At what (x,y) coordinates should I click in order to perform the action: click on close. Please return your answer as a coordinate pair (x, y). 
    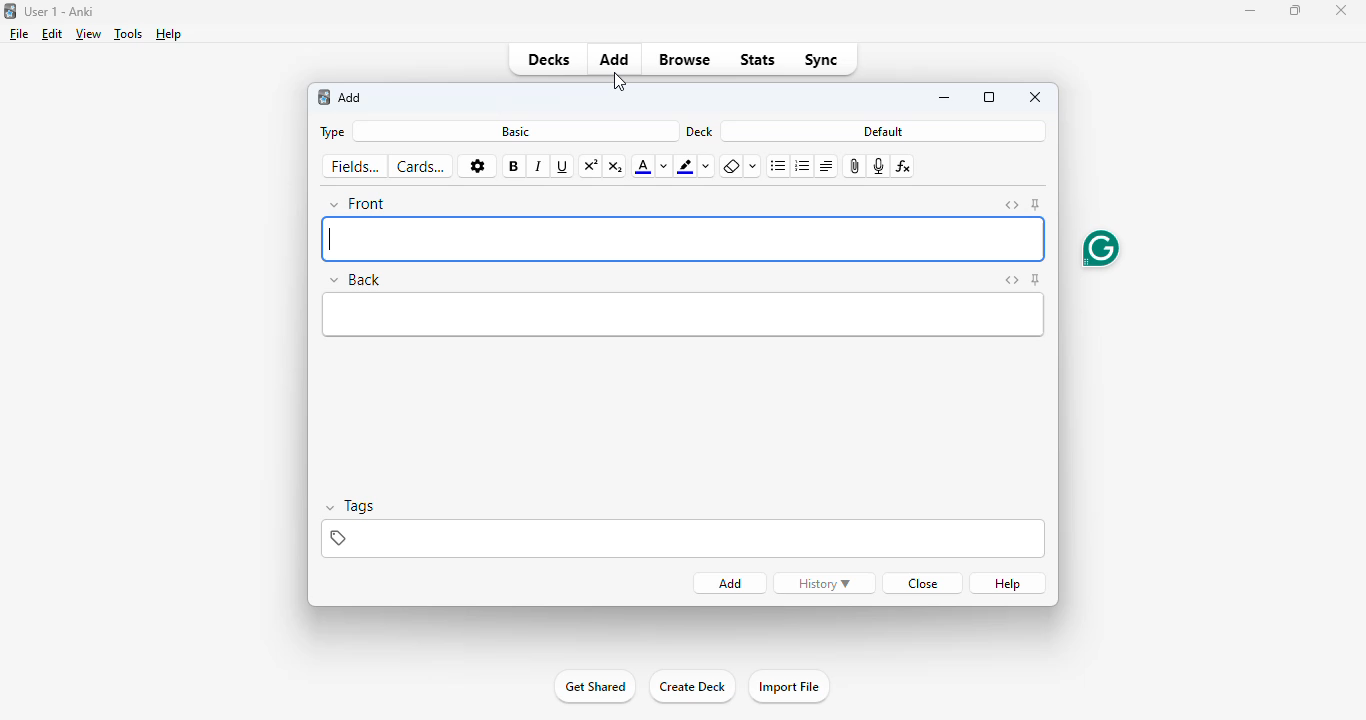
    Looking at the image, I should click on (920, 583).